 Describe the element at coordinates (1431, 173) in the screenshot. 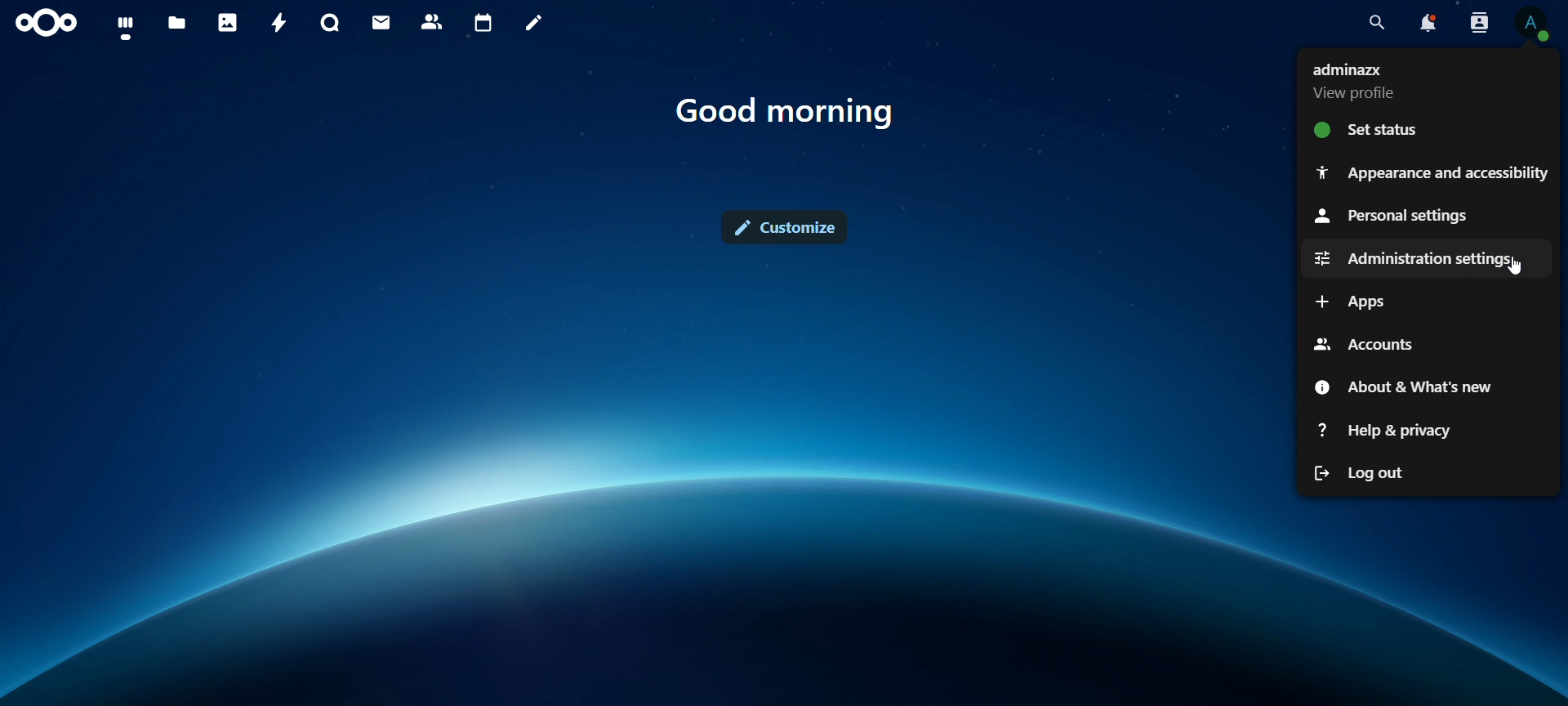

I see `appearance and accessibilty` at that location.